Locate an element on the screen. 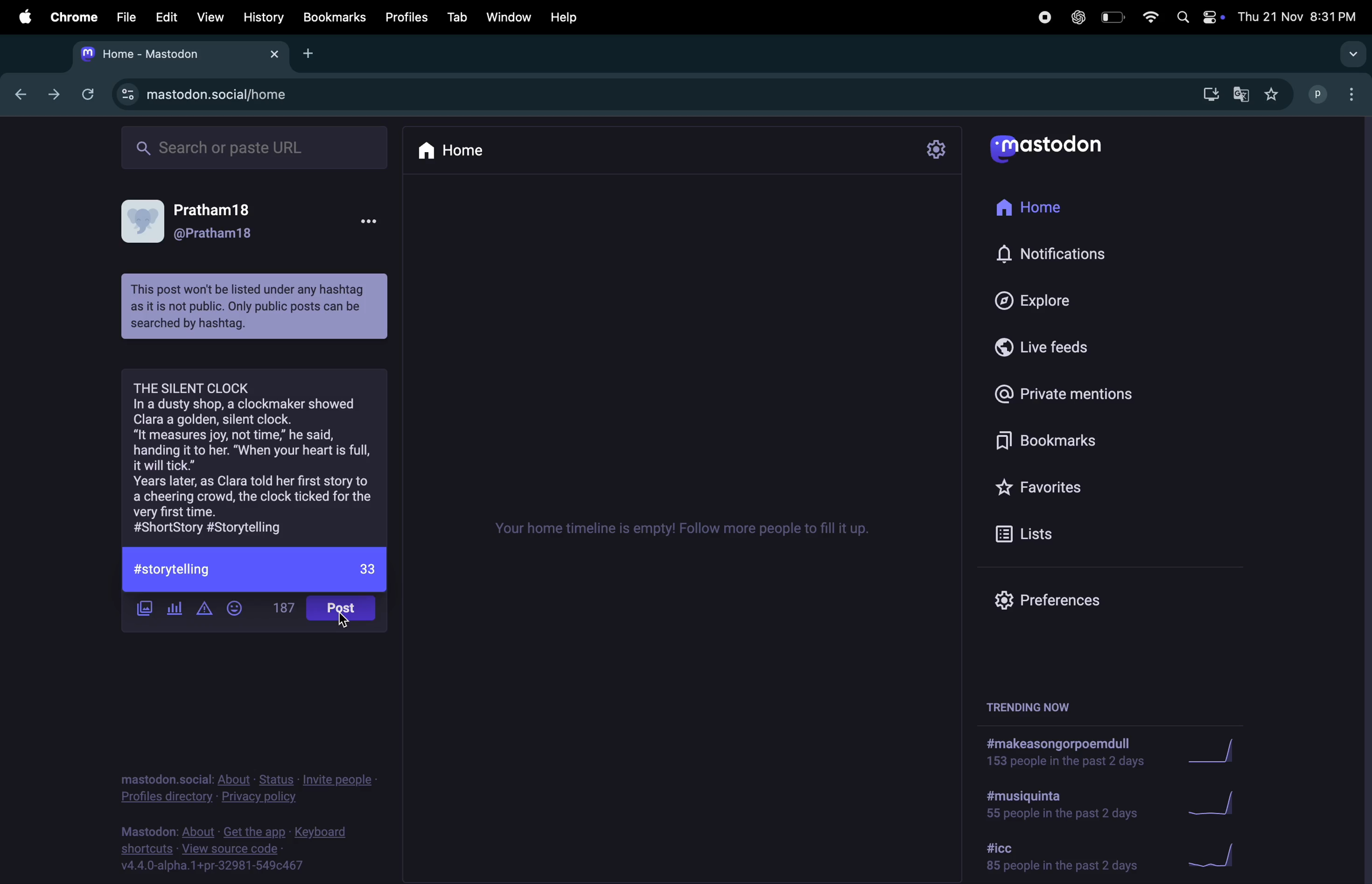  history is located at coordinates (261, 17).